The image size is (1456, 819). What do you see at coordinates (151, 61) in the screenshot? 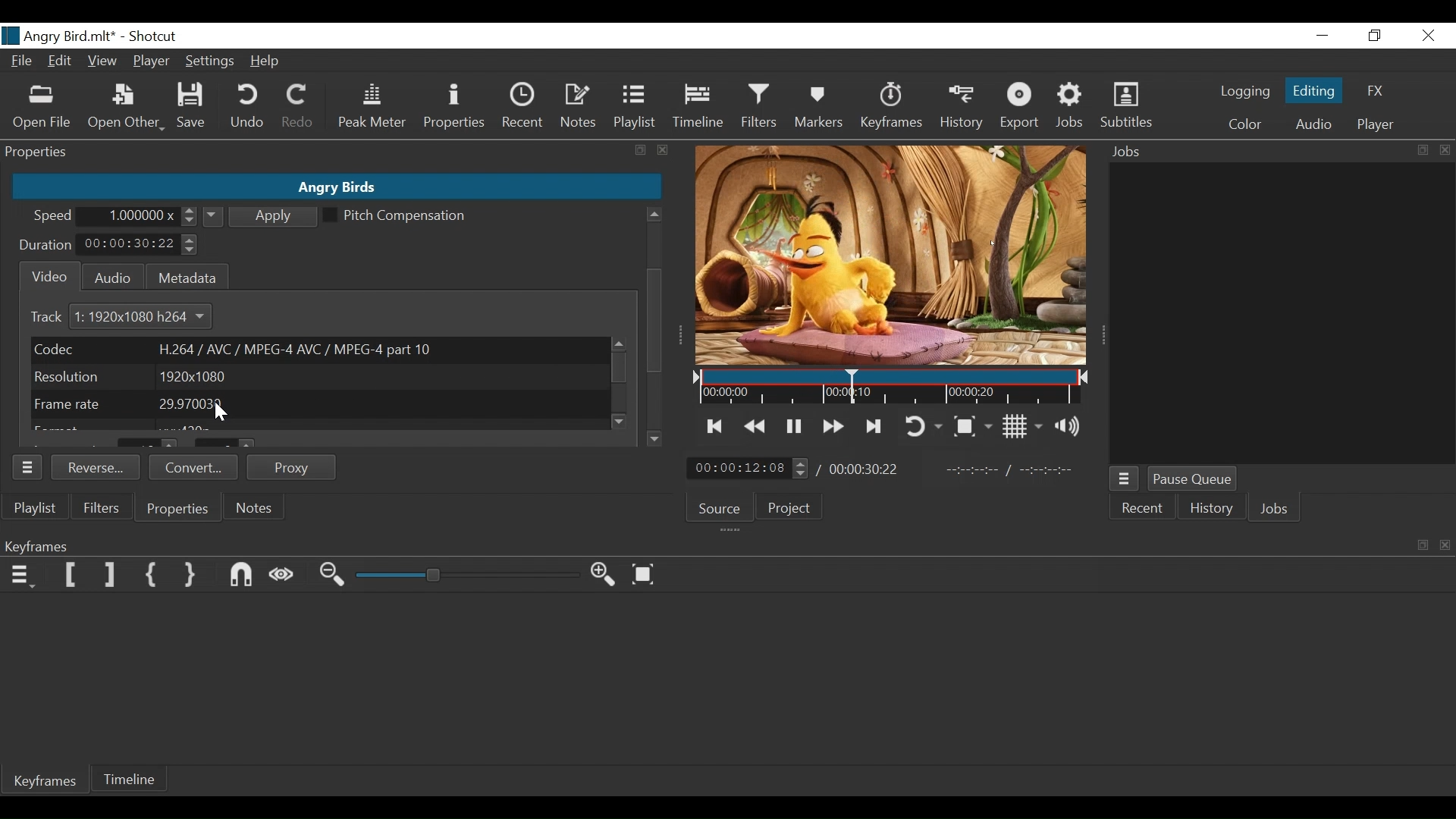
I see `Player` at bounding box center [151, 61].